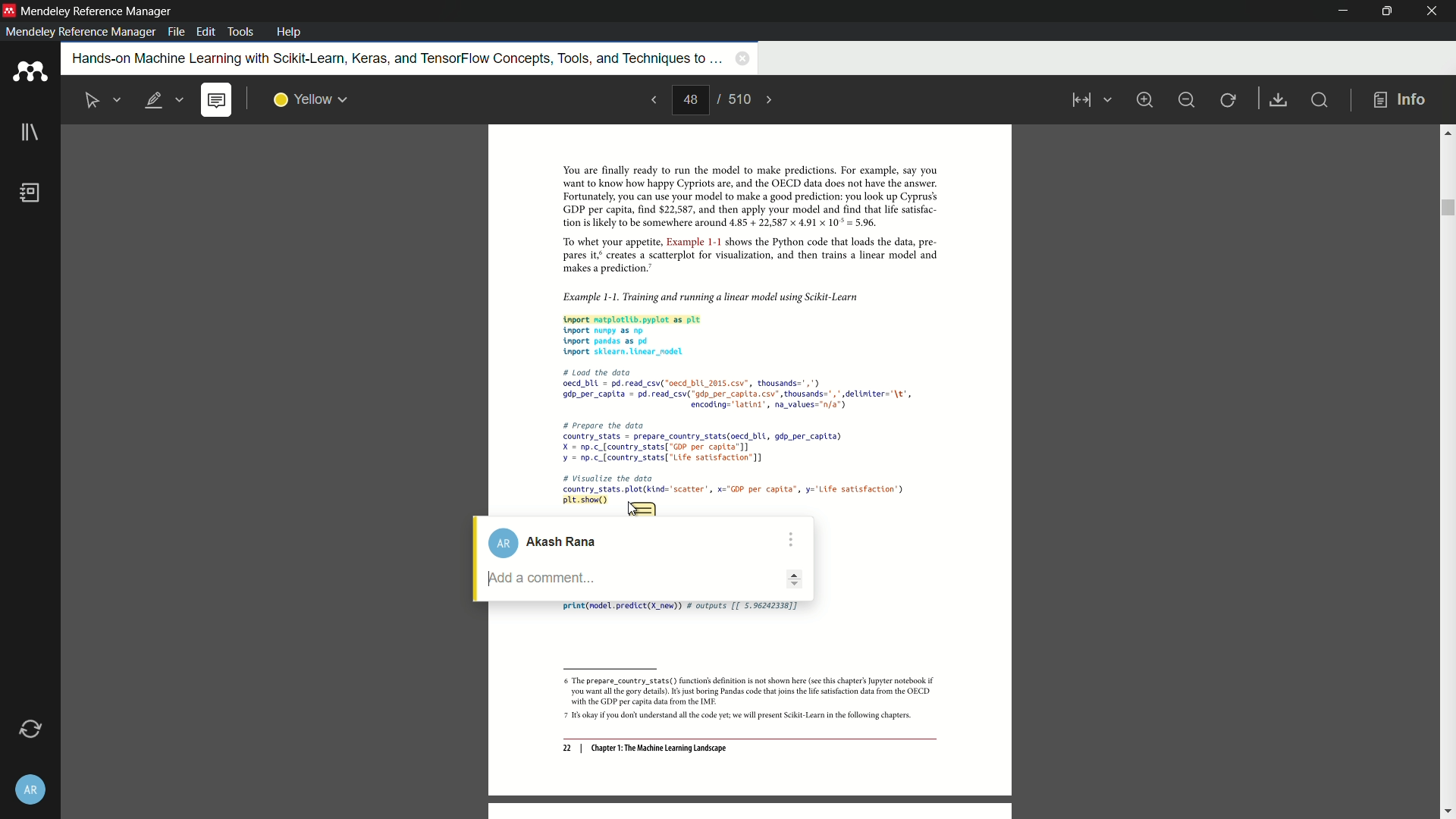 This screenshot has width=1456, height=819. What do you see at coordinates (215, 101) in the screenshot?
I see `add note` at bounding box center [215, 101].